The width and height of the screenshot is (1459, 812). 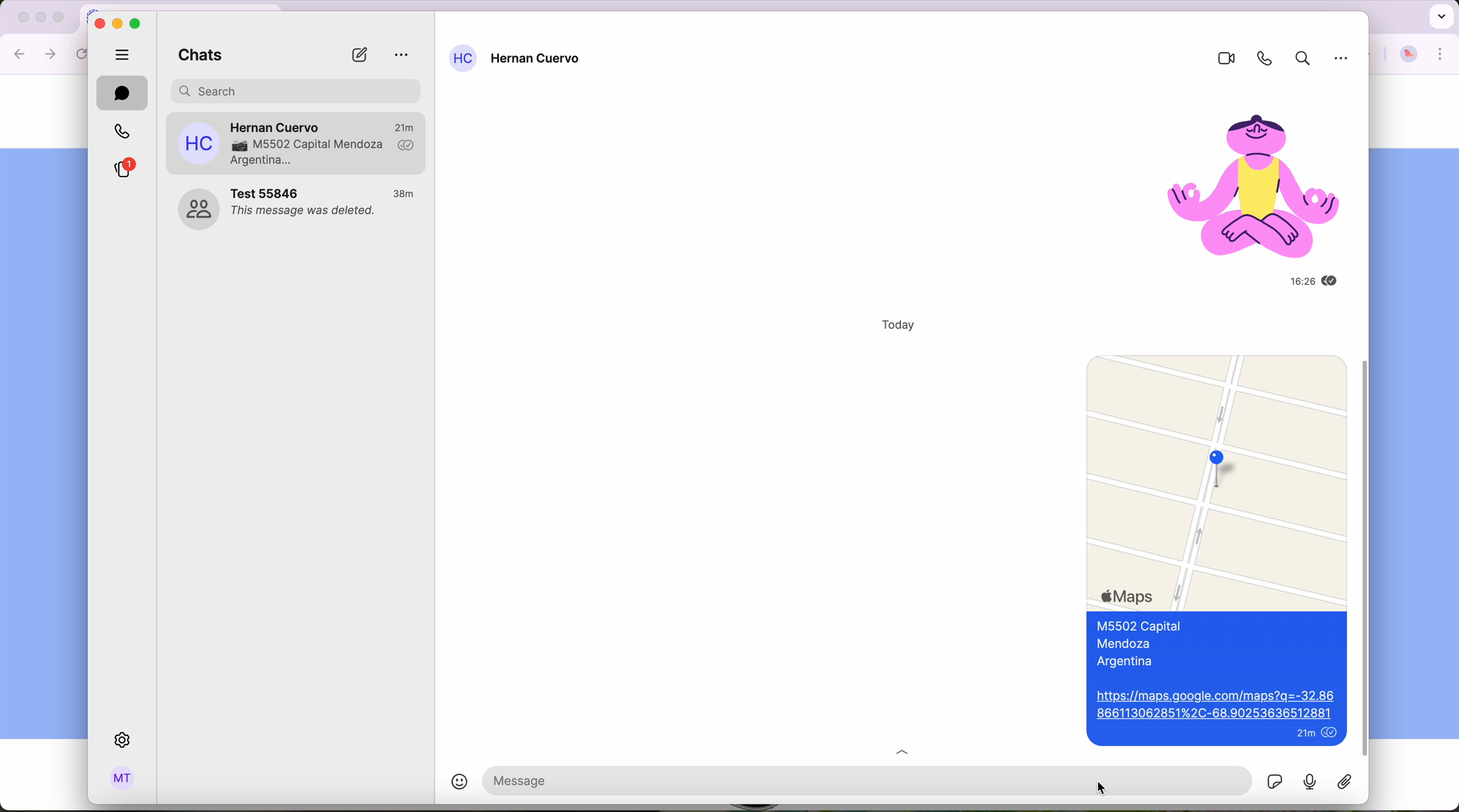 What do you see at coordinates (911, 749) in the screenshot?
I see `up` at bounding box center [911, 749].